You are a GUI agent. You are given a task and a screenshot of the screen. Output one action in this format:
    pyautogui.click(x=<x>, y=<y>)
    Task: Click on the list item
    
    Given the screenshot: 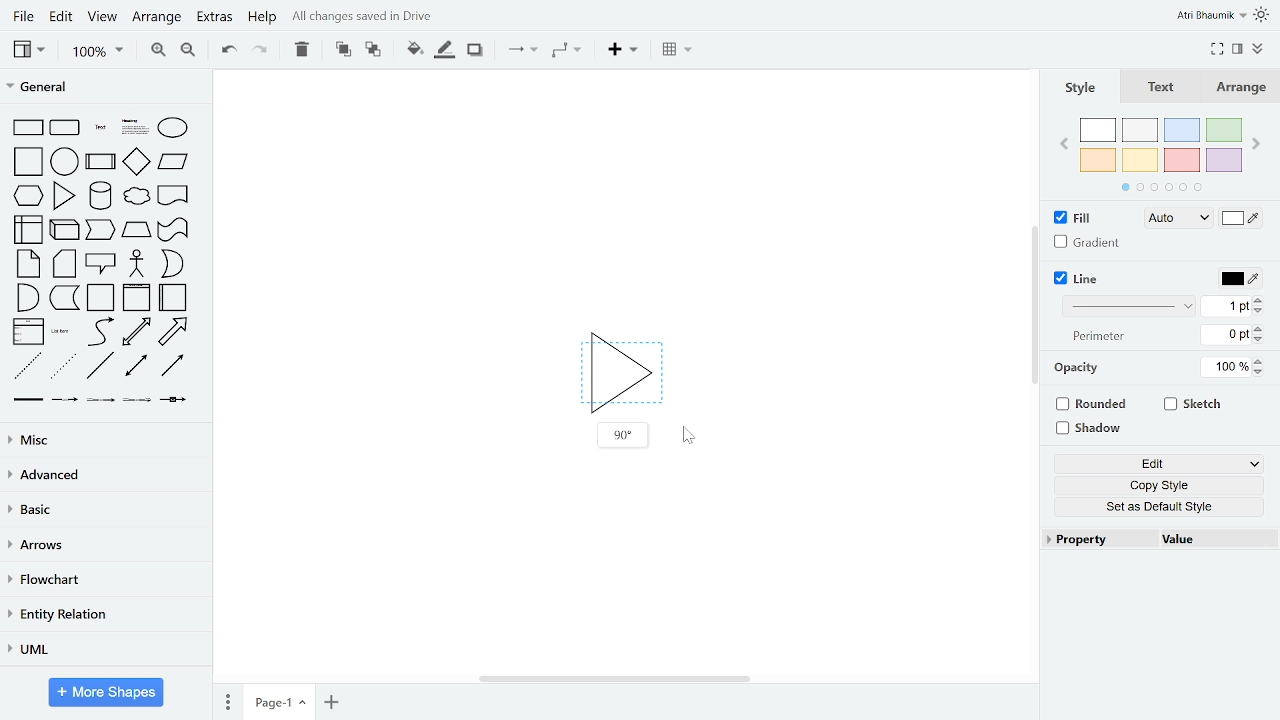 What is the action you would take?
    pyautogui.click(x=62, y=333)
    